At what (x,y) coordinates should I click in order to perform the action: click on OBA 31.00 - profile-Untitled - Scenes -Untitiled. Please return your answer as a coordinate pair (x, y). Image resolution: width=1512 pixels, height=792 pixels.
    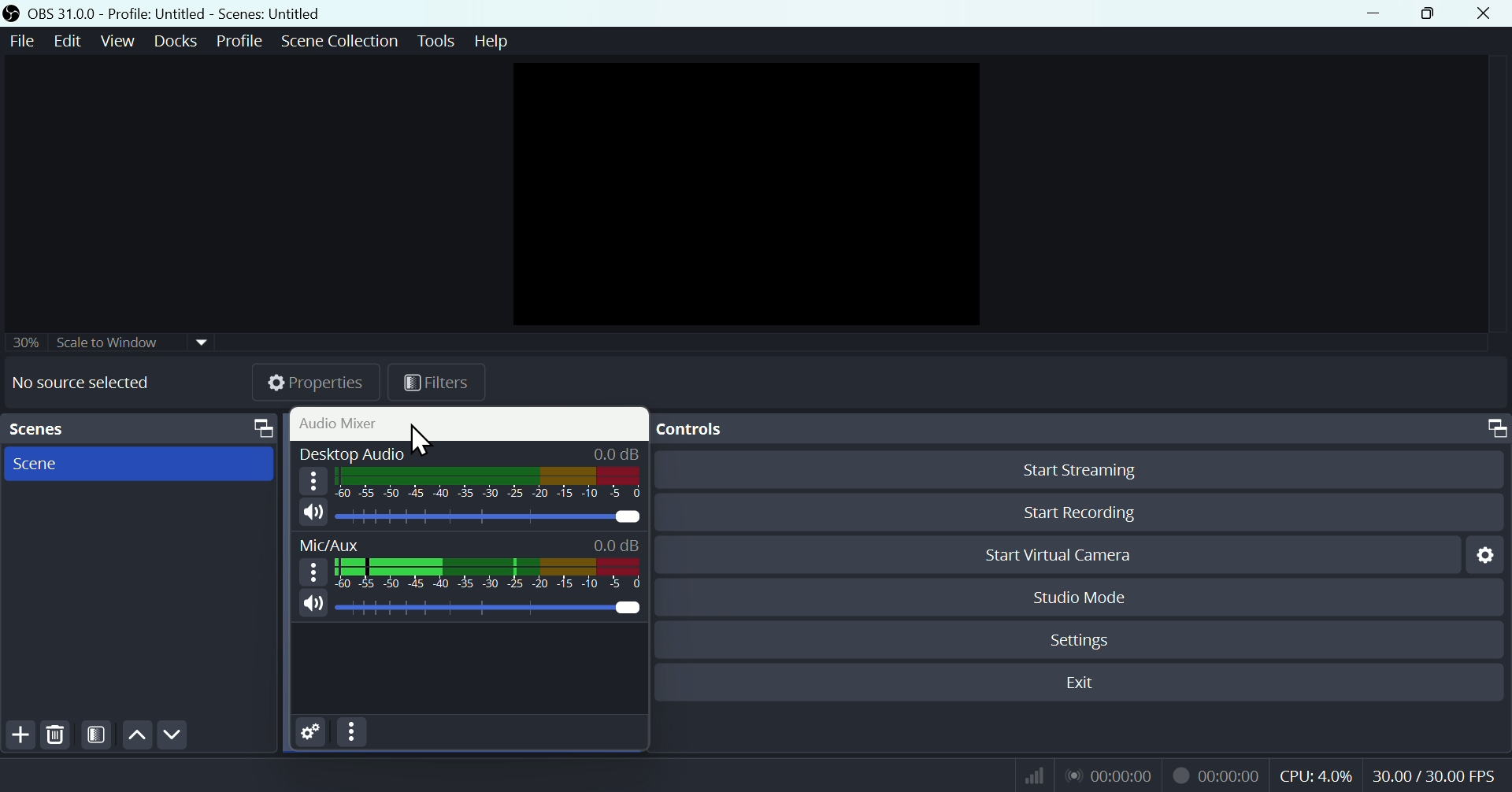
    Looking at the image, I should click on (200, 13).